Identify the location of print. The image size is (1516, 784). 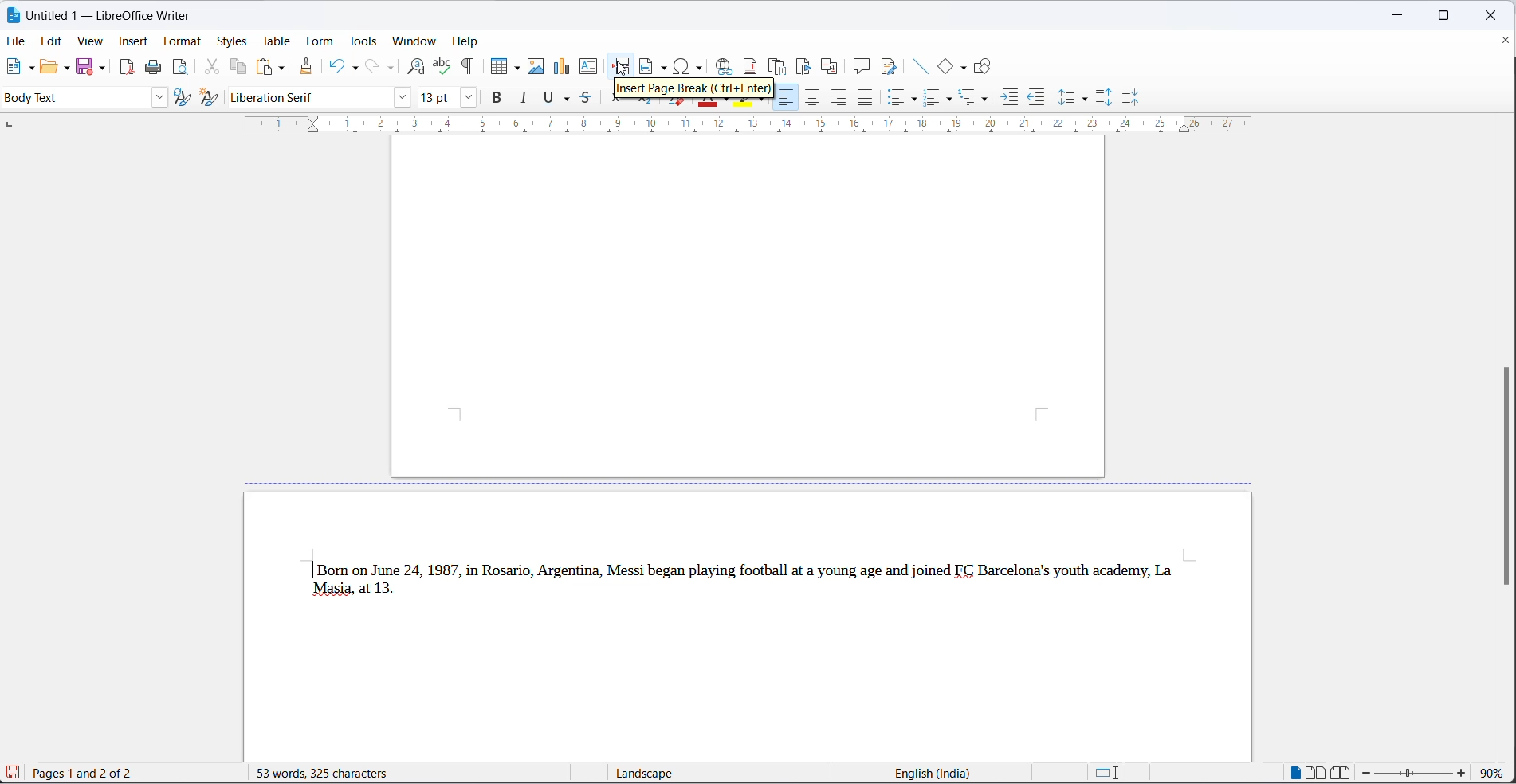
(153, 67).